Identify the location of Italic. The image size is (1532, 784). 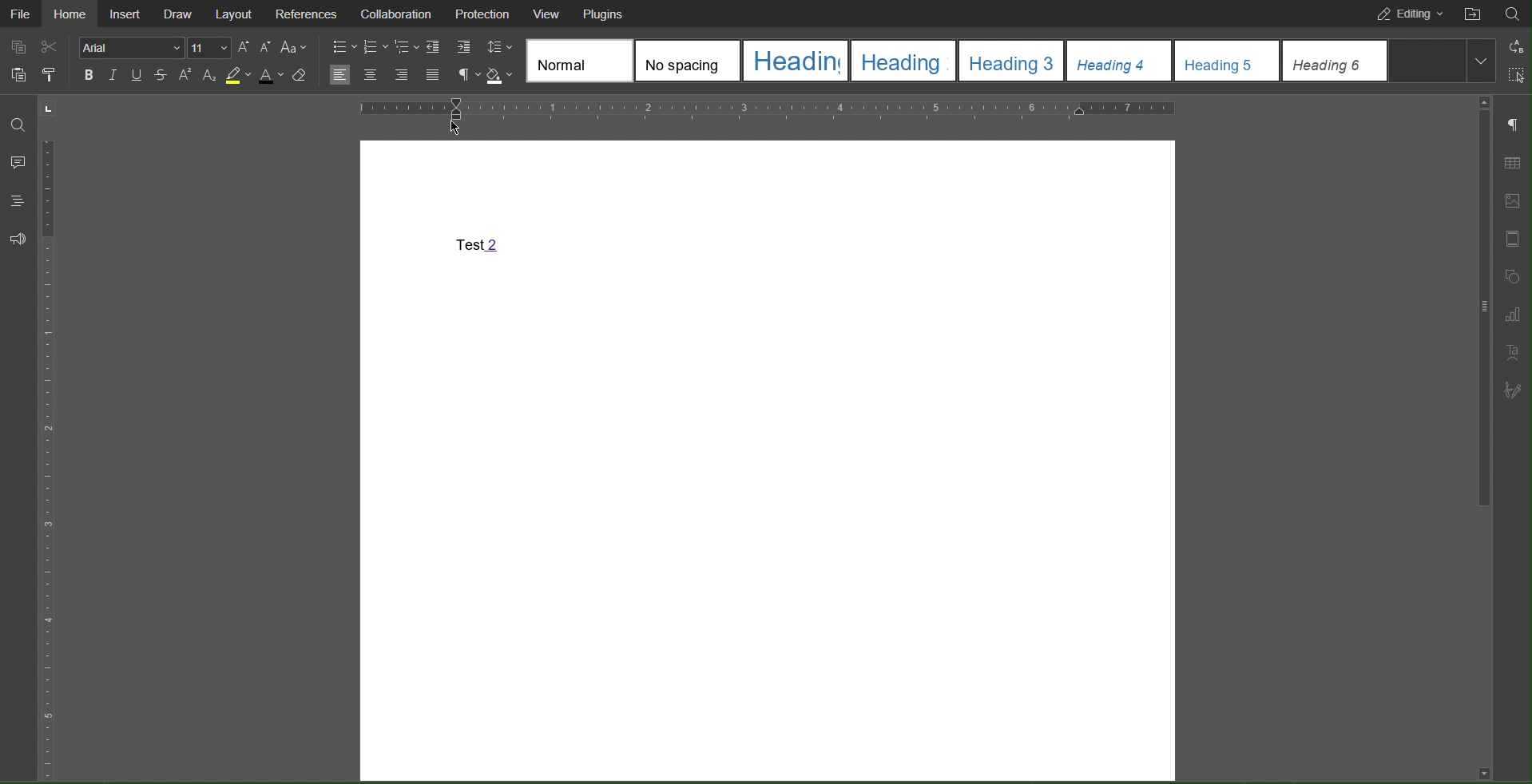
(114, 74).